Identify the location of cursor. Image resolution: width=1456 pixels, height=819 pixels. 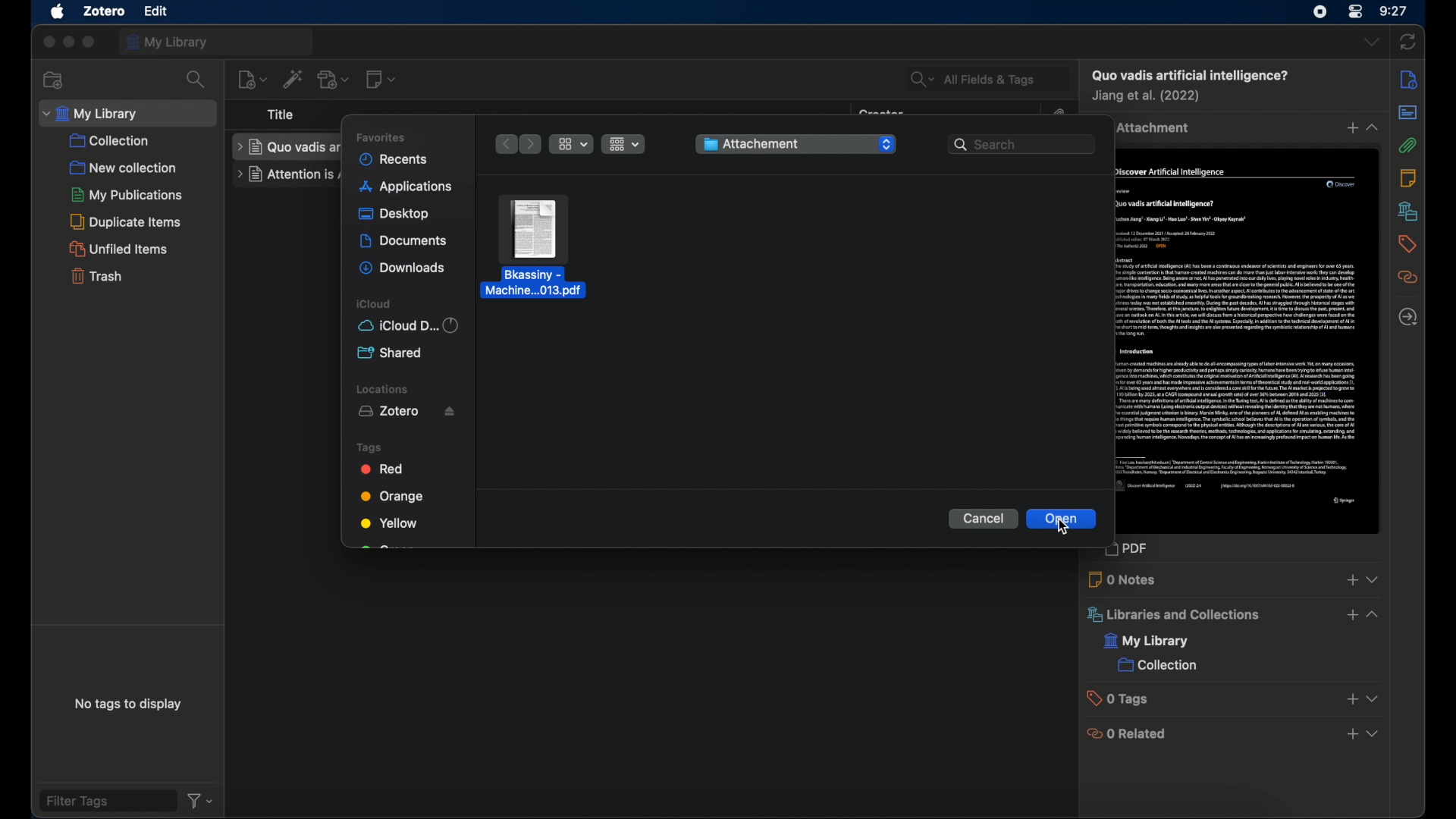
(1065, 529).